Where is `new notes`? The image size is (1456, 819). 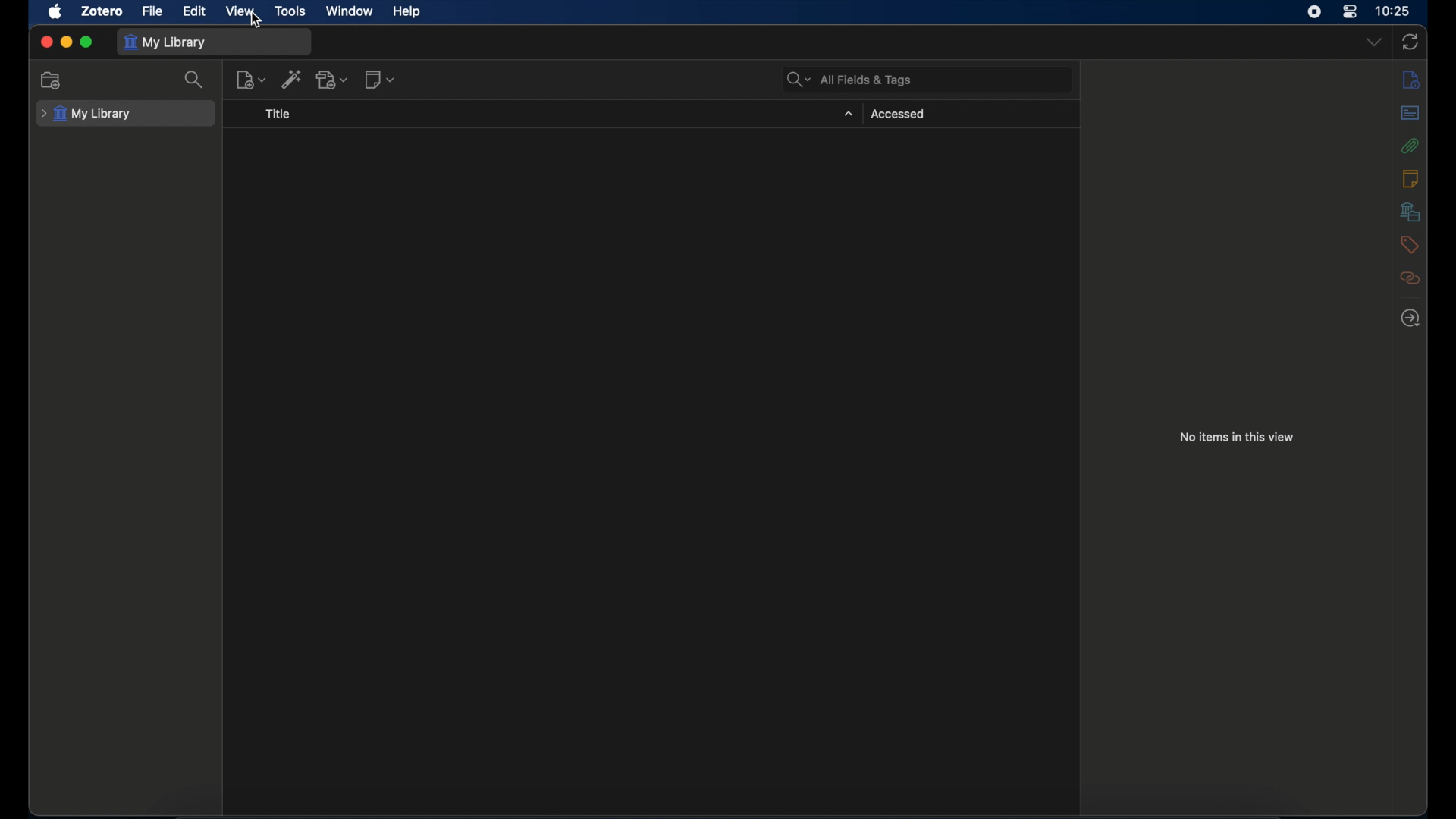 new notes is located at coordinates (381, 79).